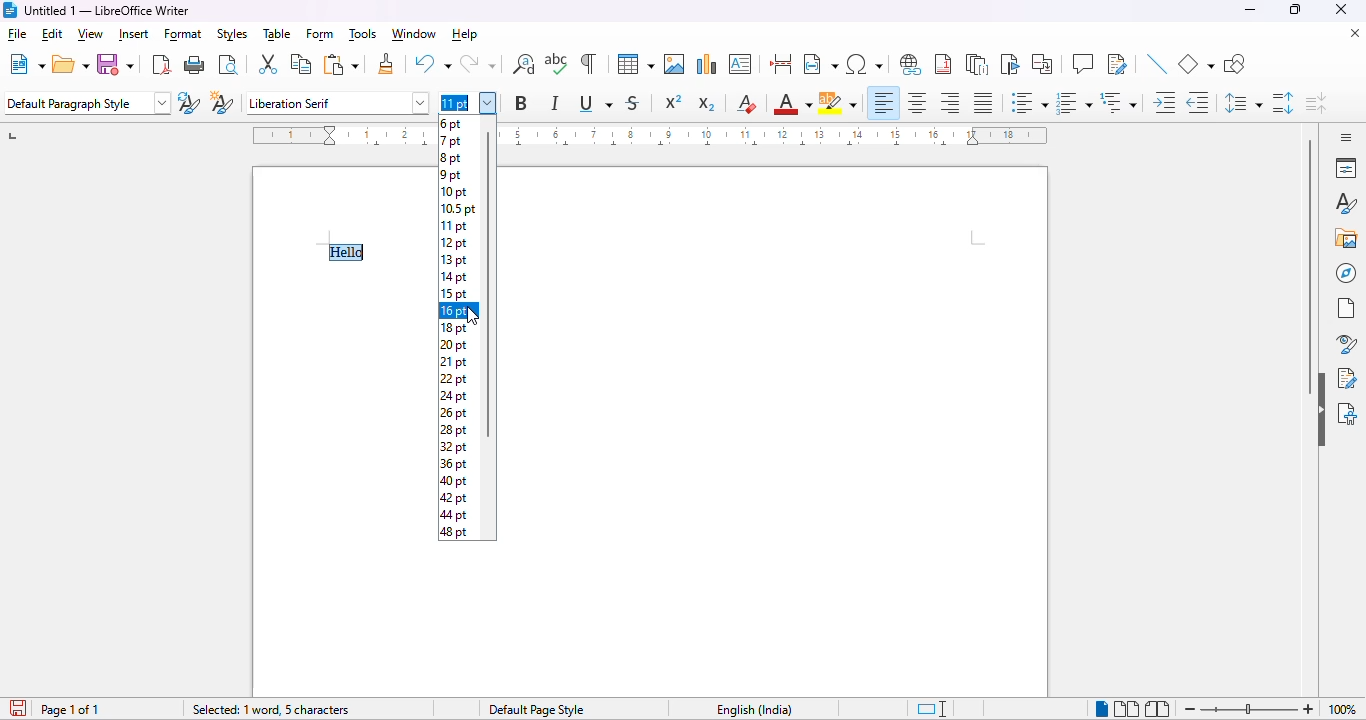  I want to click on insert field, so click(820, 64).